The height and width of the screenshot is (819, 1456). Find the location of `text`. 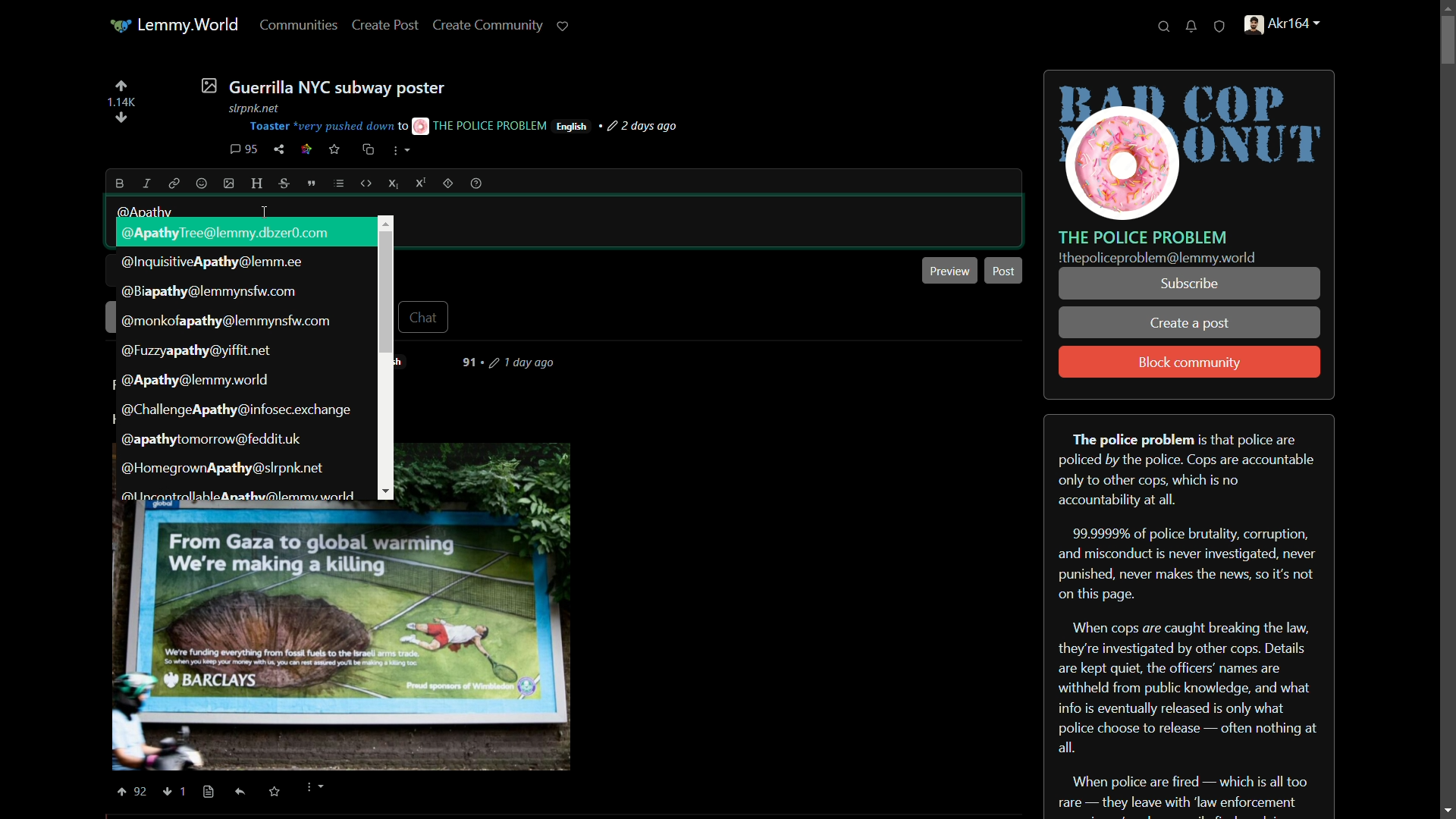

text is located at coordinates (1157, 259).